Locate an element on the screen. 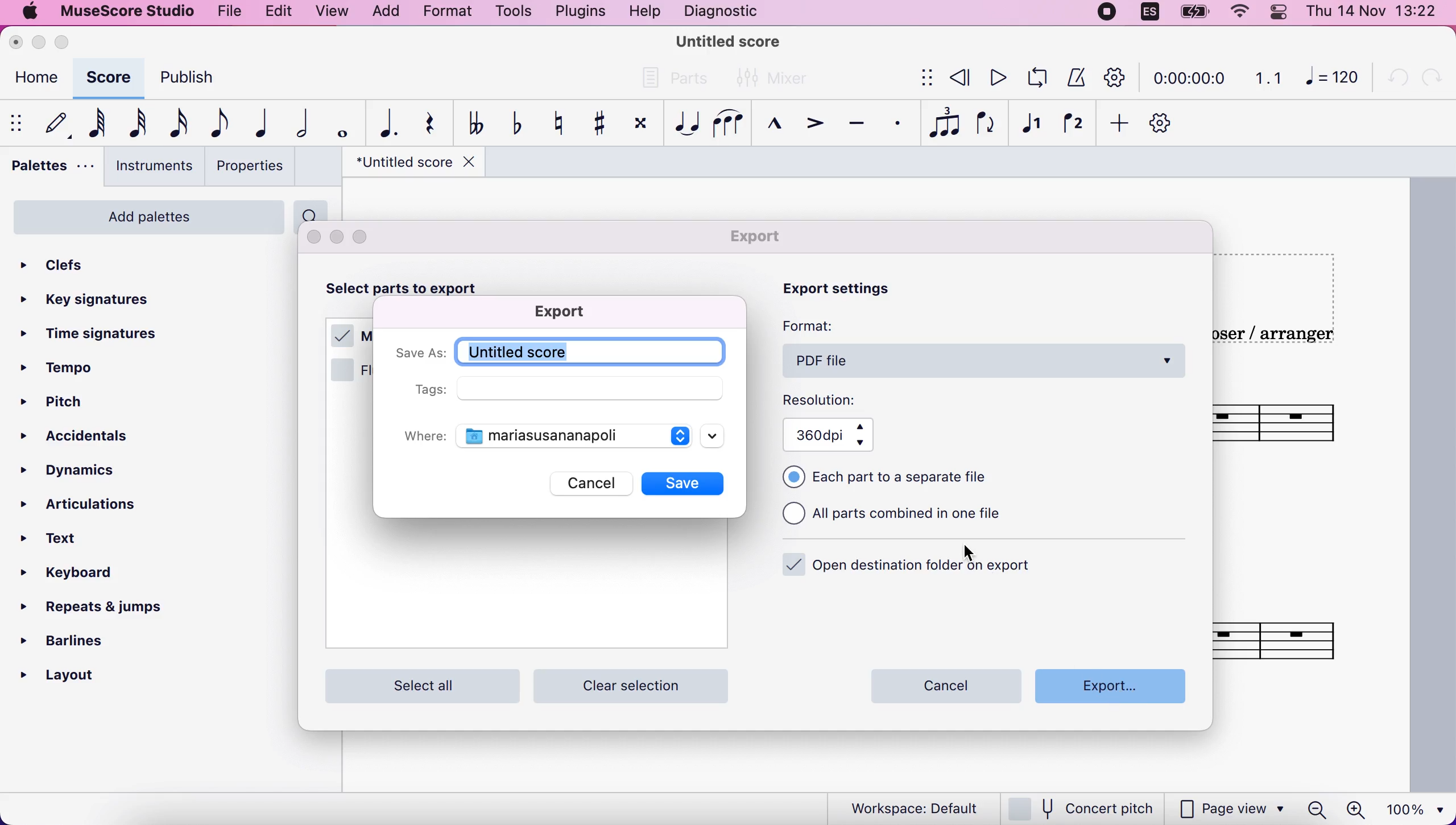 Image resolution: width=1456 pixels, height=825 pixels. cancel is located at coordinates (590, 483).